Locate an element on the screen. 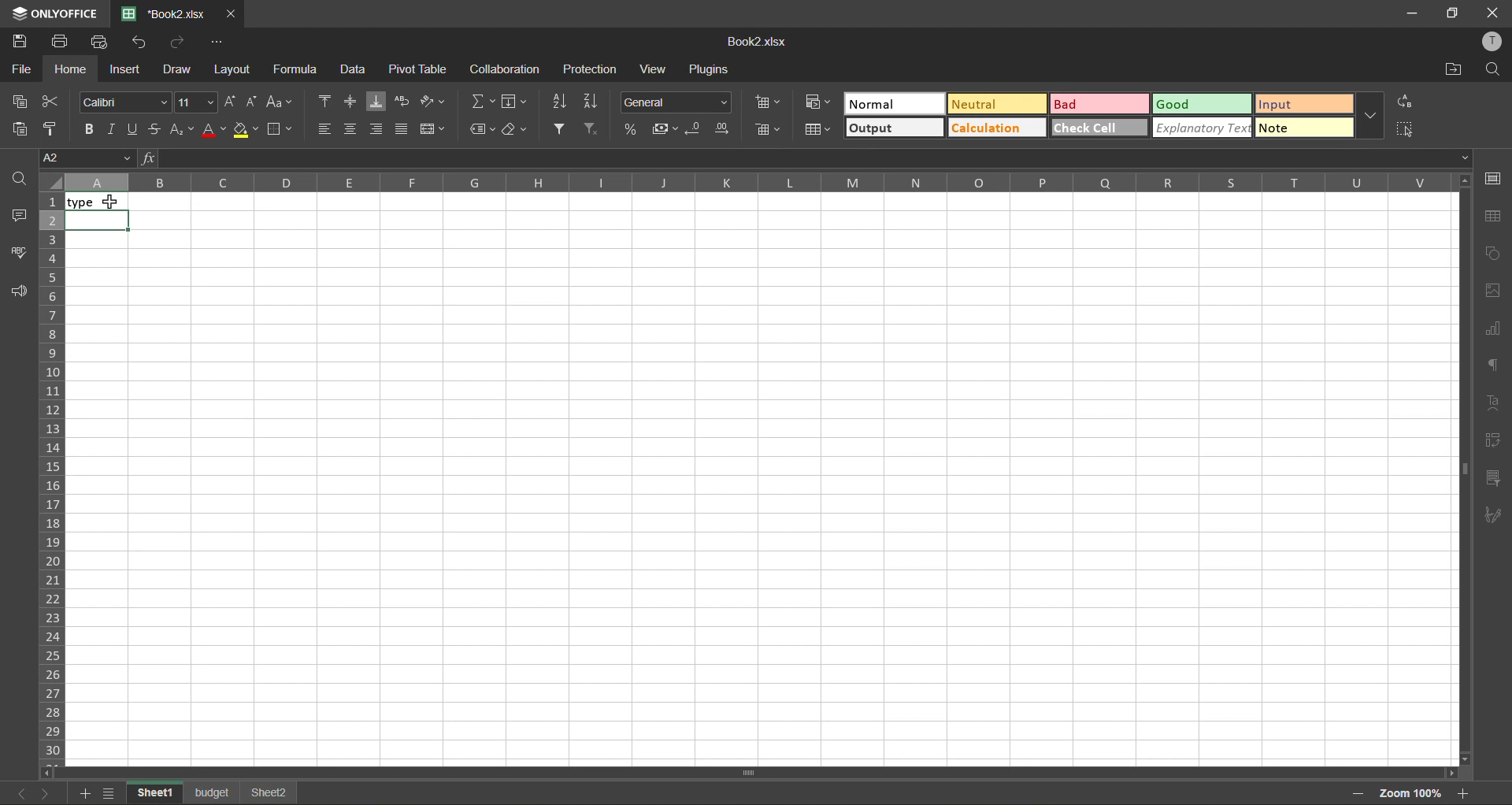 This screenshot has width=1512, height=805. quick print is located at coordinates (102, 42).